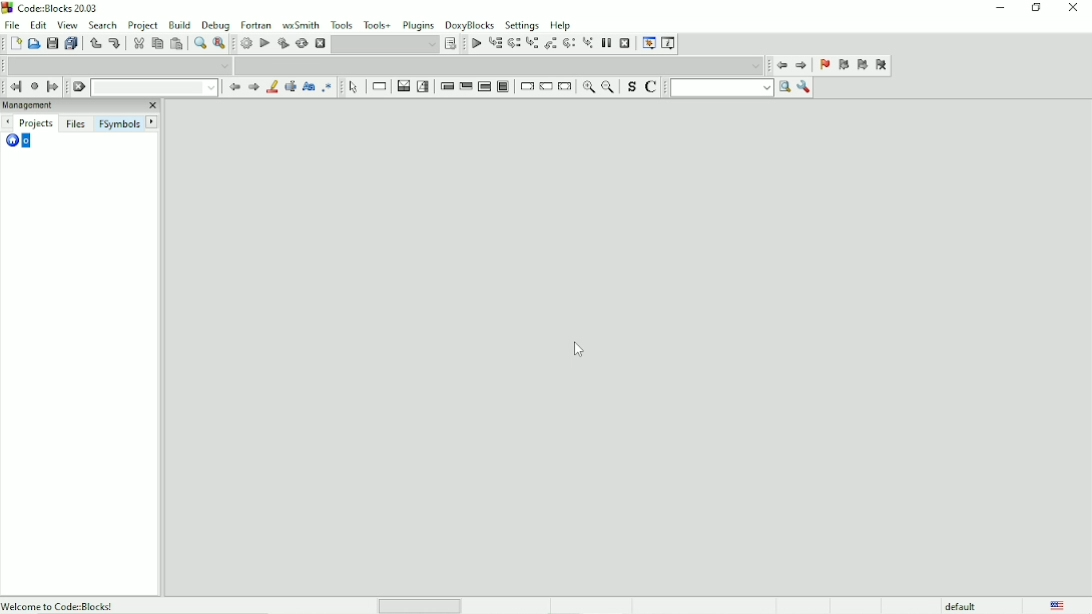  I want to click on Minimize, so click(999, 8).